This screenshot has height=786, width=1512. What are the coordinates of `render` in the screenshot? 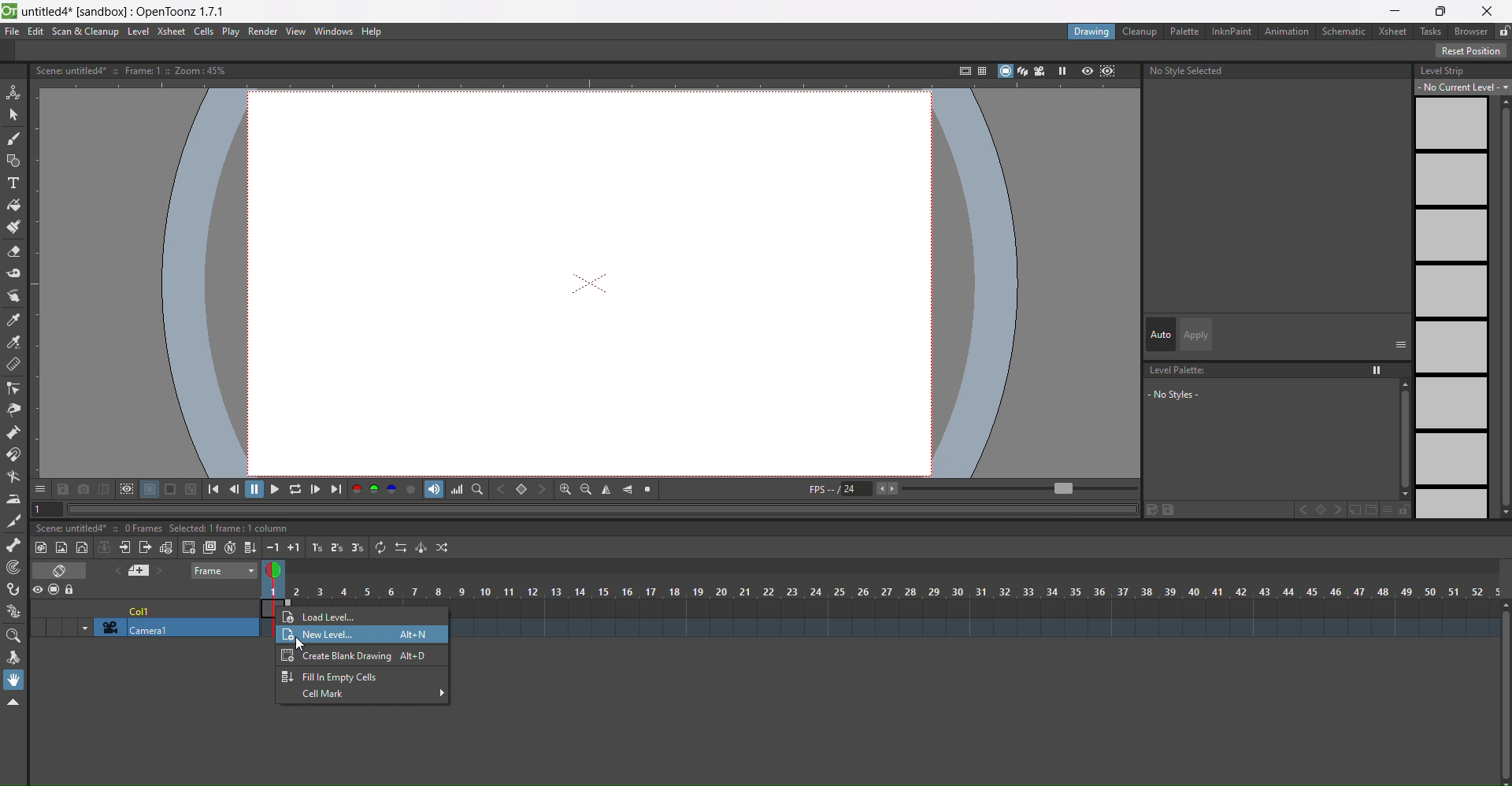 It's located at (265, 32).